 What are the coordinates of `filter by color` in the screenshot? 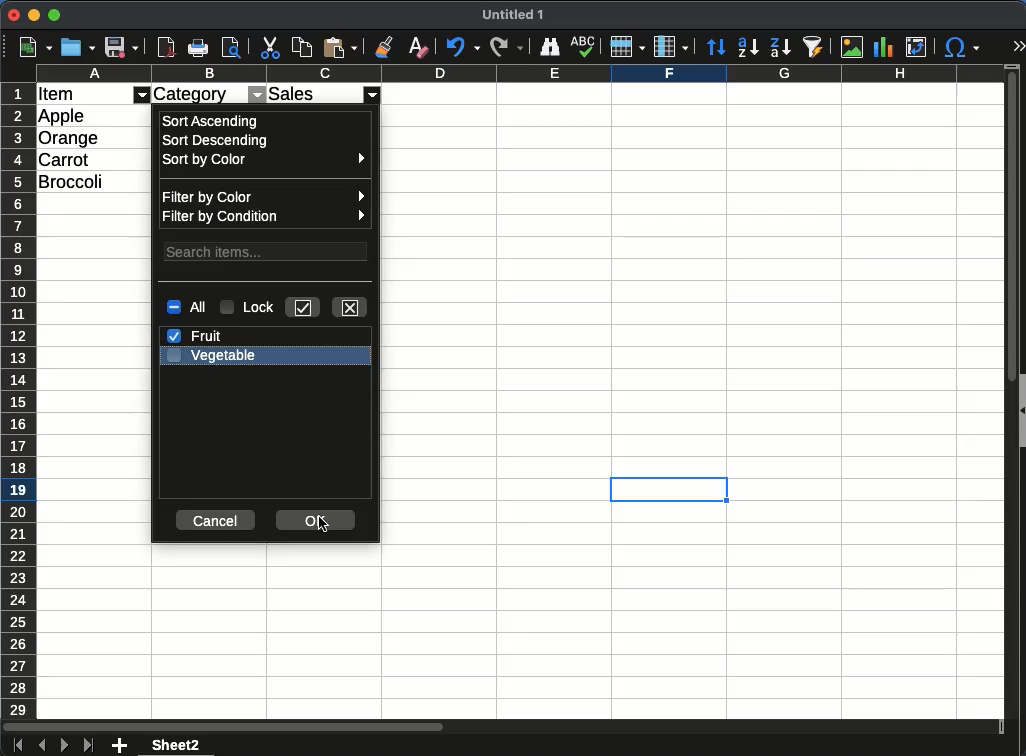 It's located at (269, 196).